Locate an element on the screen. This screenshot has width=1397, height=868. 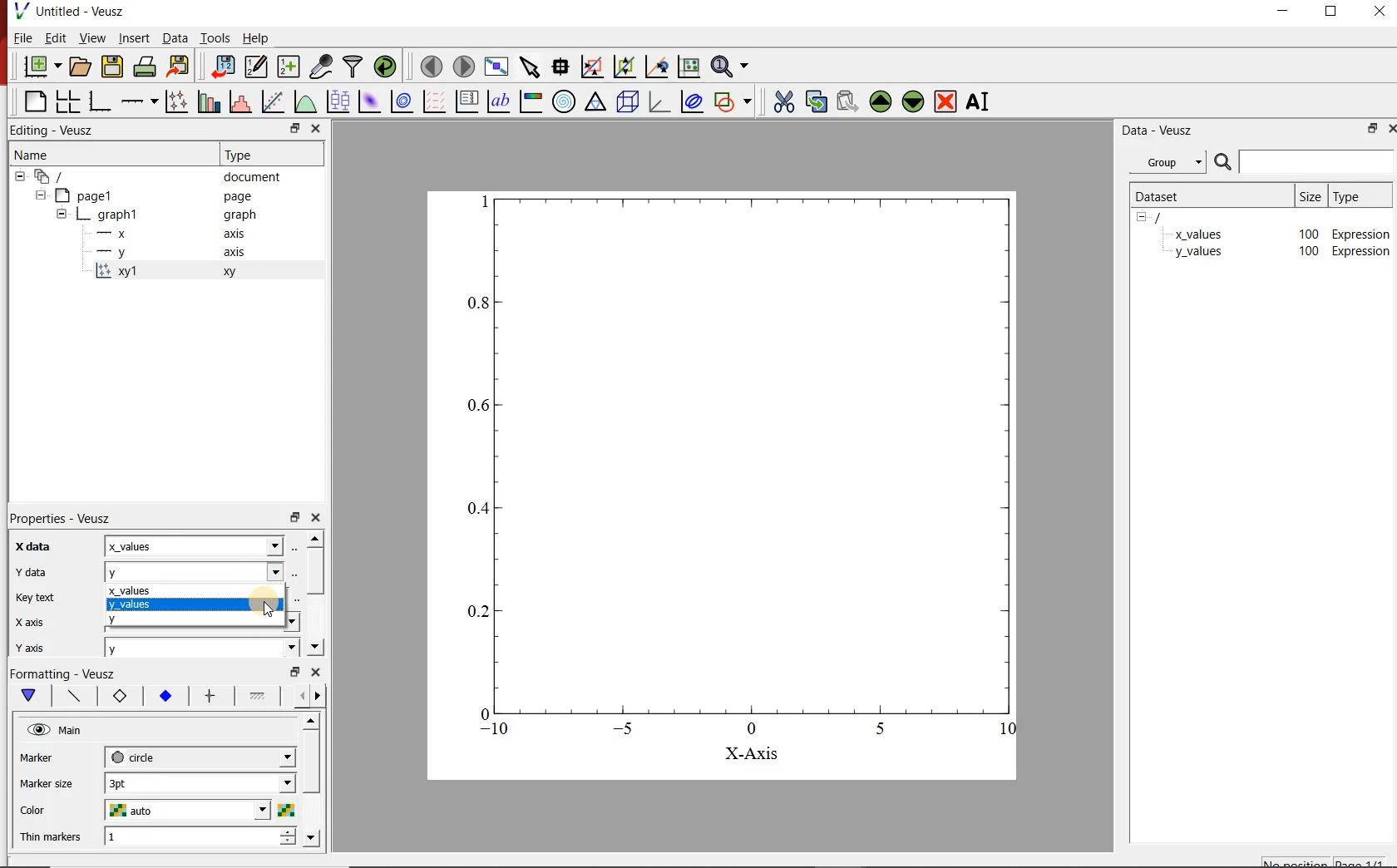
3d scene is located at coordinates (629, 104).